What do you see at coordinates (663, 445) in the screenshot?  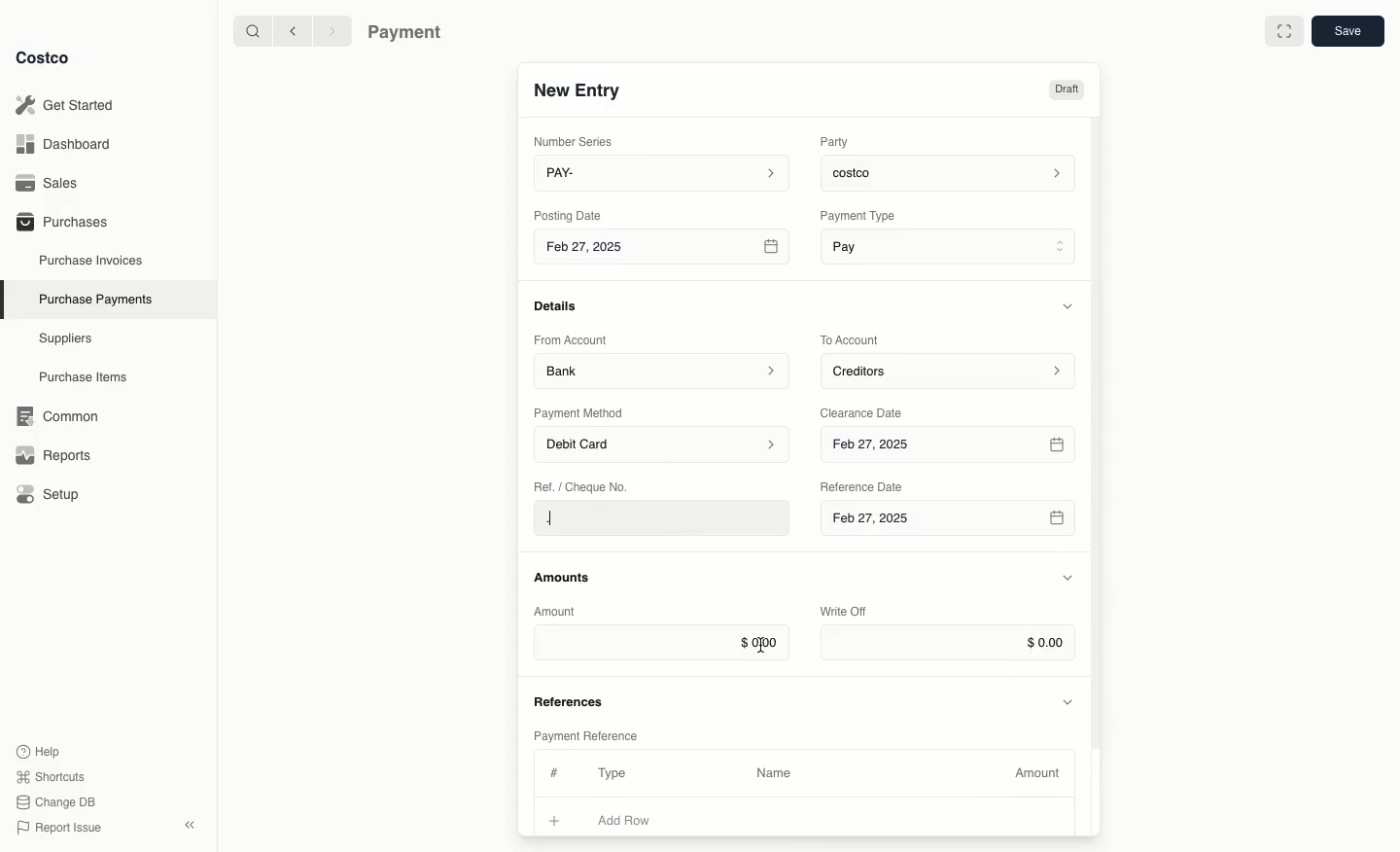 I see `Debit Card` at bounding box center [663, 445].